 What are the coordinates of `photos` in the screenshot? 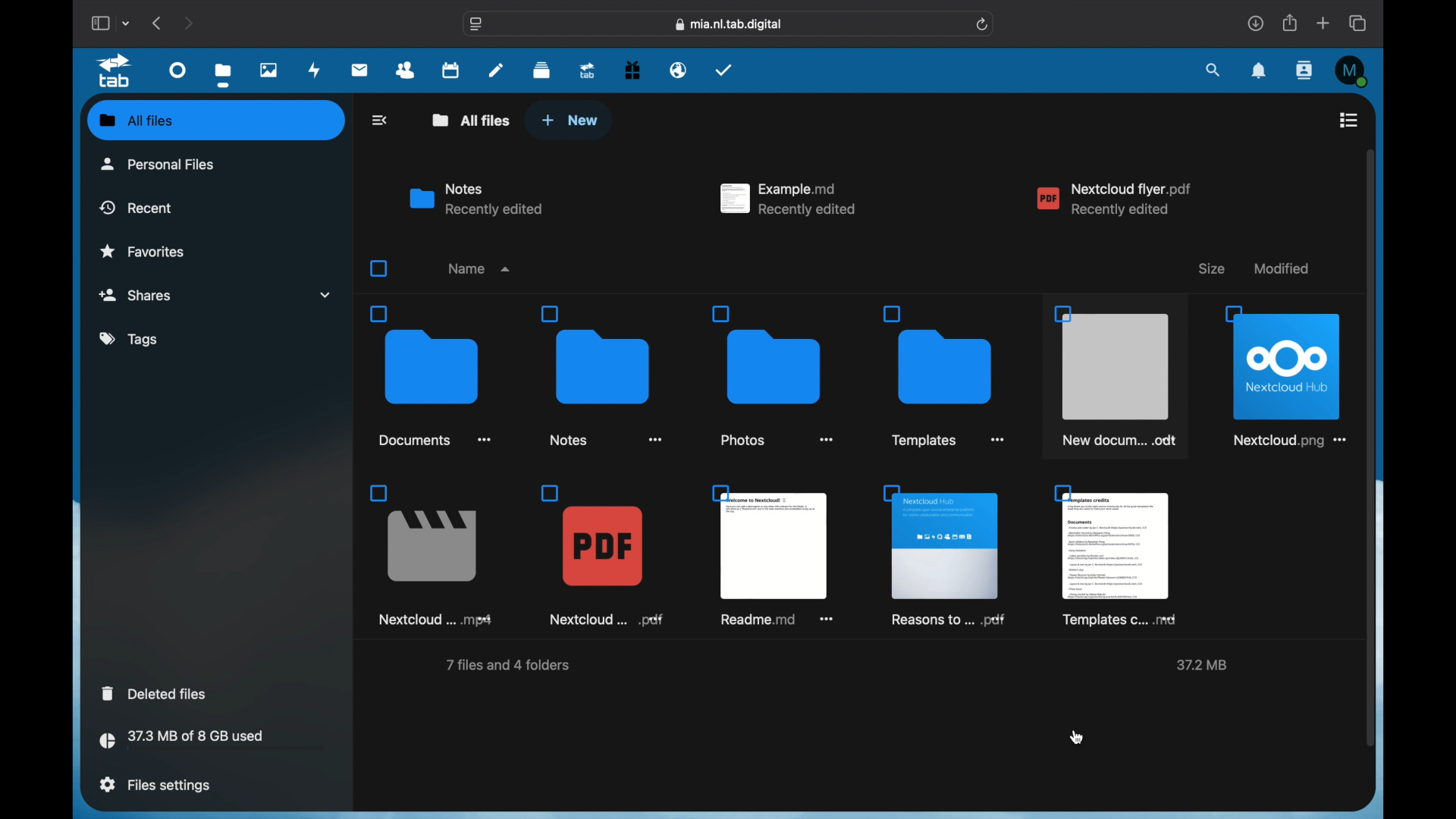 It's located at (270, 70).